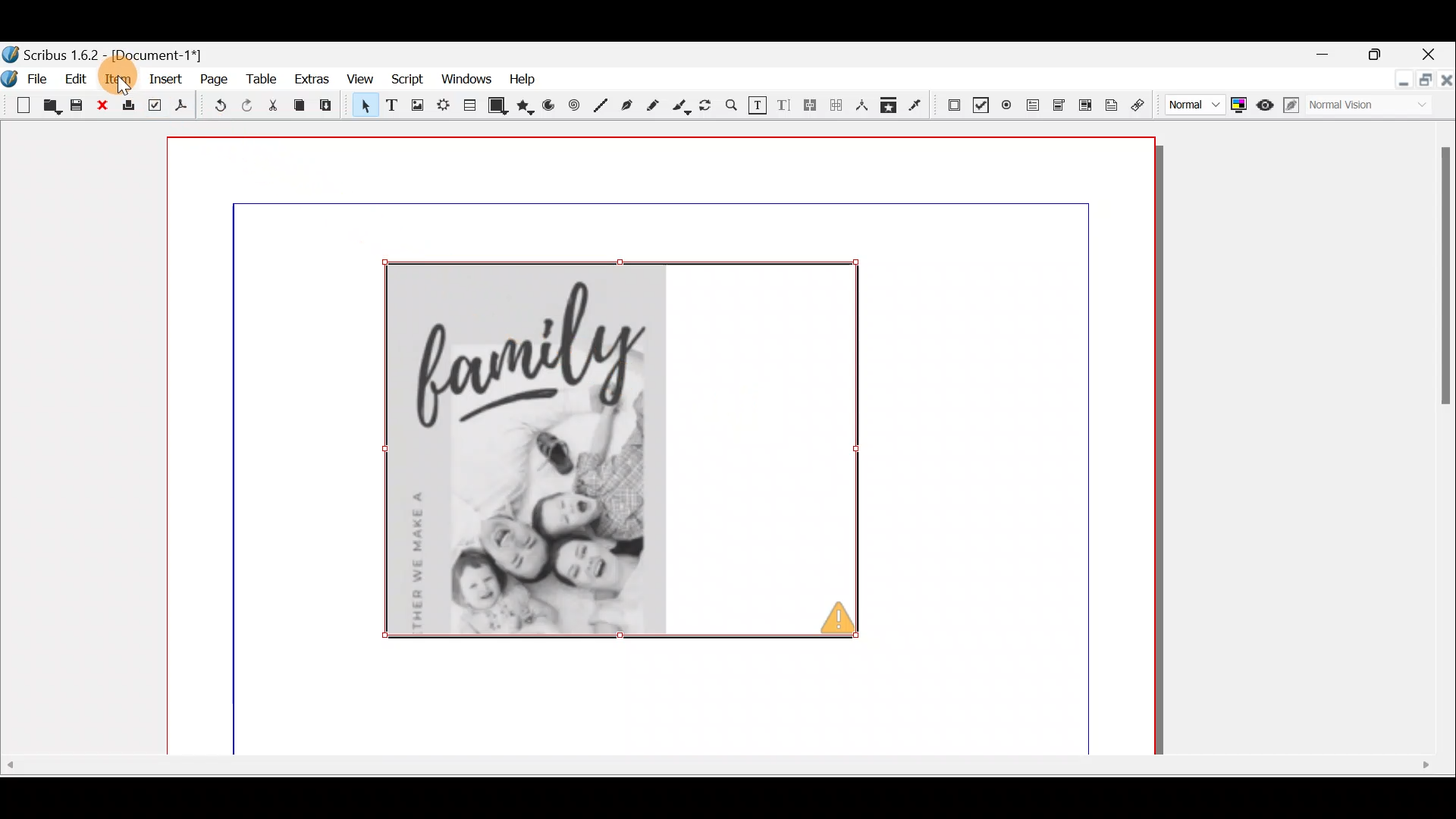  What do you see at coordinates (362, 78) in the screenshot?
I see `View` at bounding box center [362, 78].